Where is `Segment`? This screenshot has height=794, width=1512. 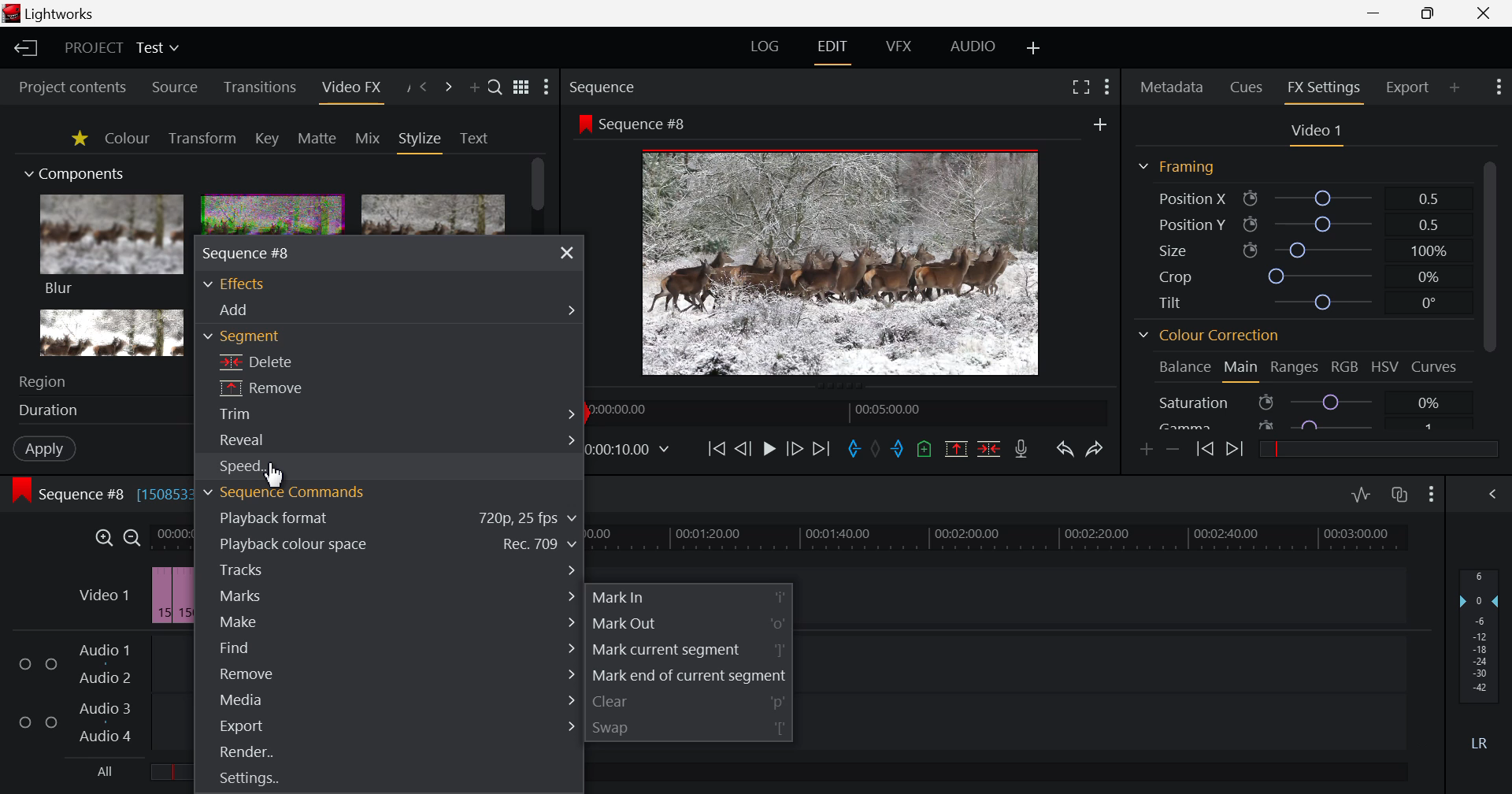
Segment is located at coordinates (257, 335).